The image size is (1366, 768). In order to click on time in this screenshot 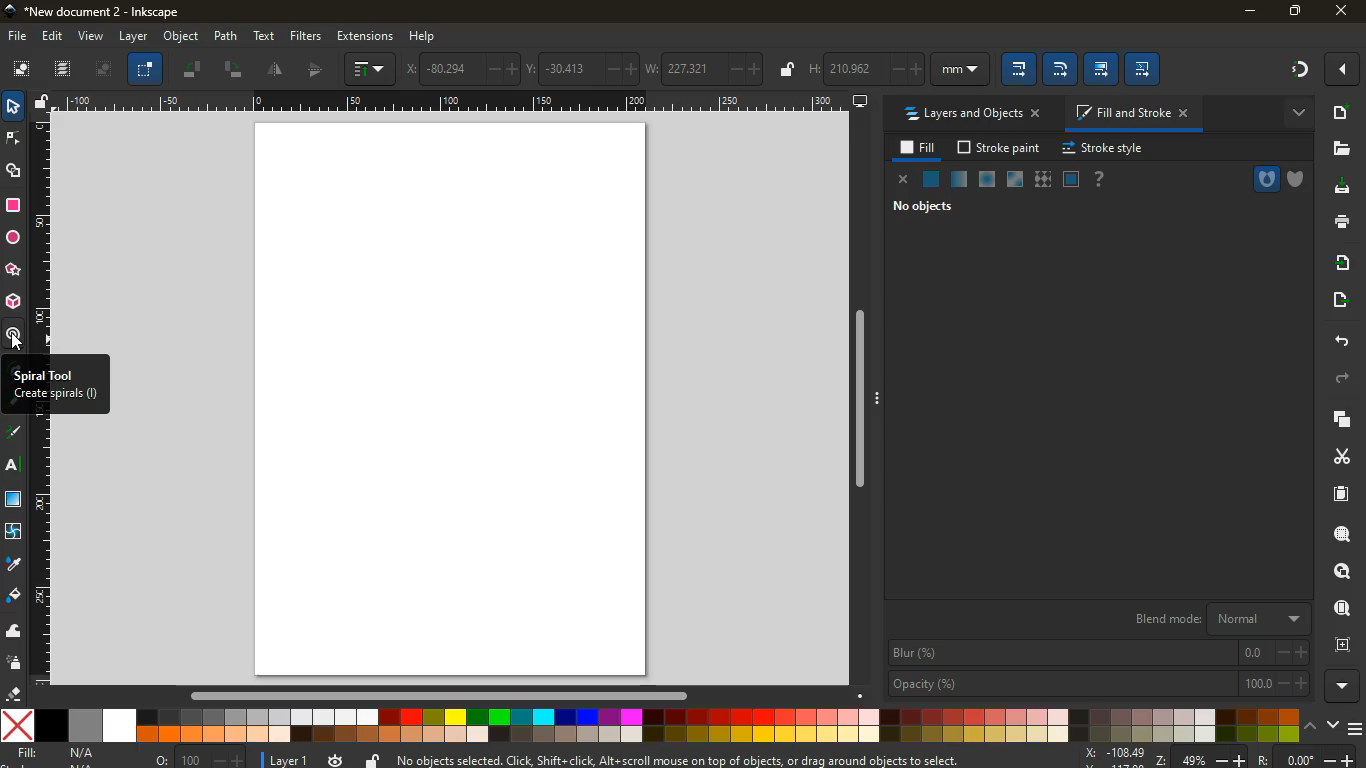, I will do `click(336, 758)`.